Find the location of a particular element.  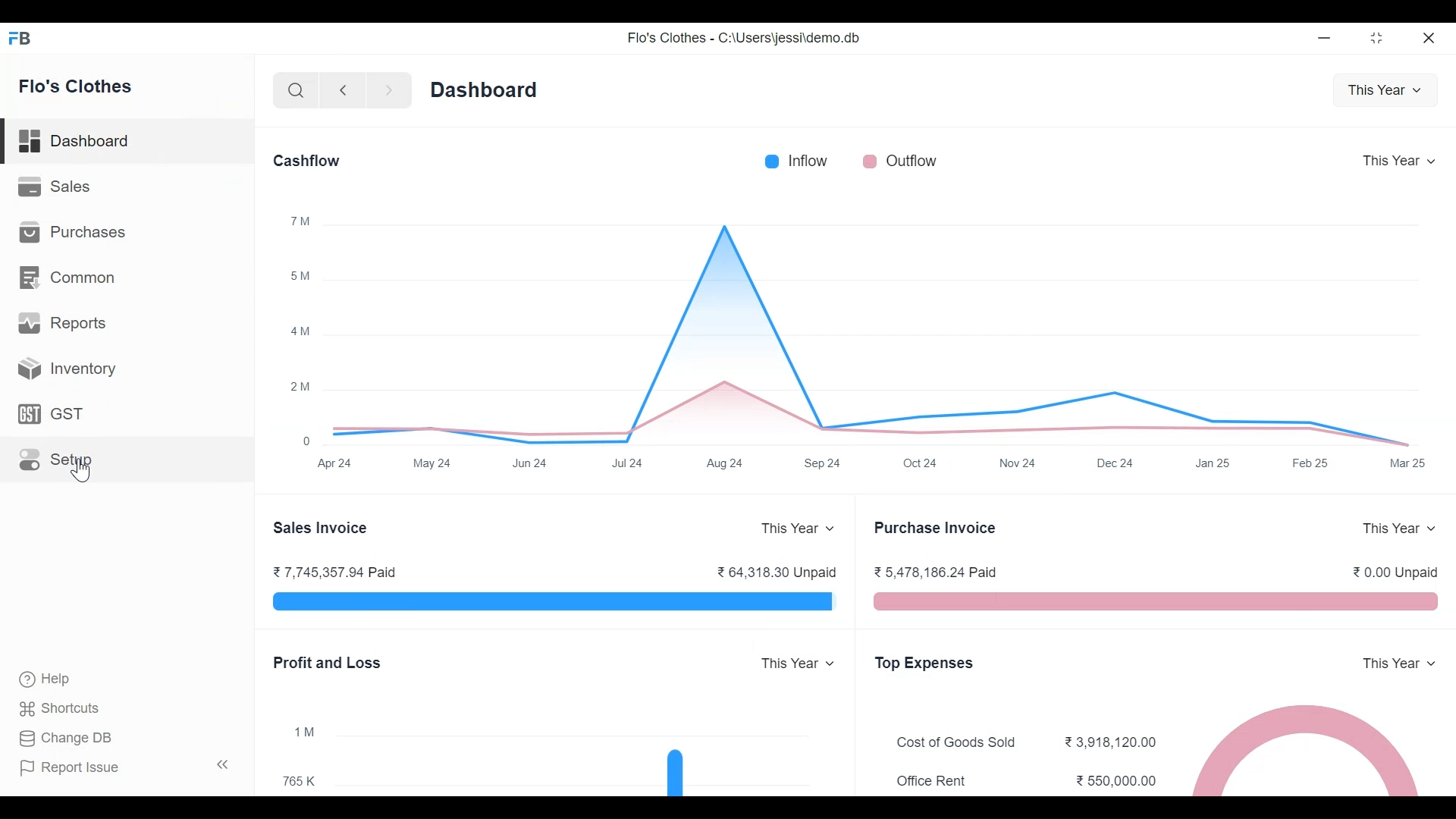

765K is located at coordinates (300, 780).